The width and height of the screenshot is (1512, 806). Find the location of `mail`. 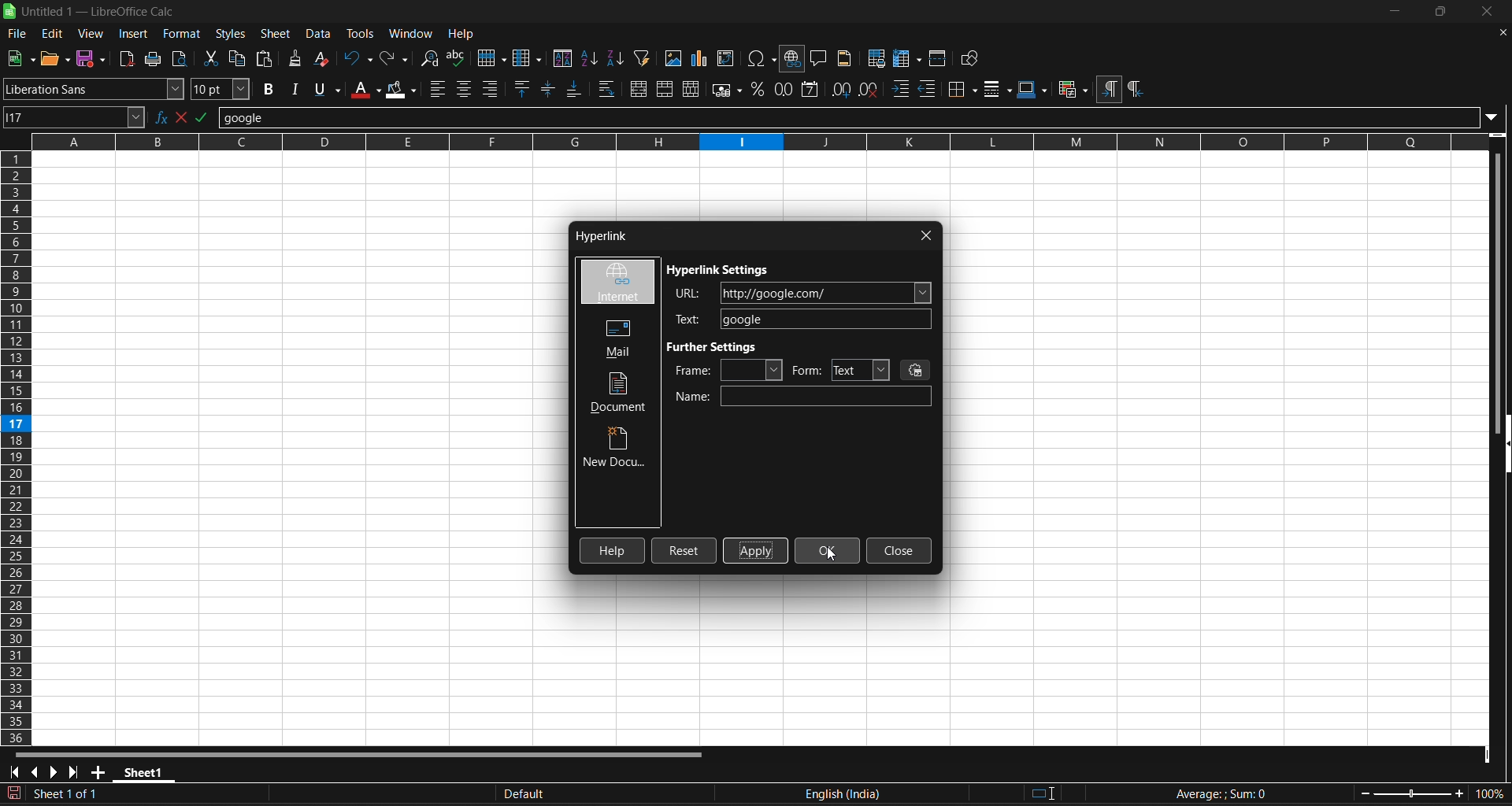

mail is located at coordinates (613, 337).